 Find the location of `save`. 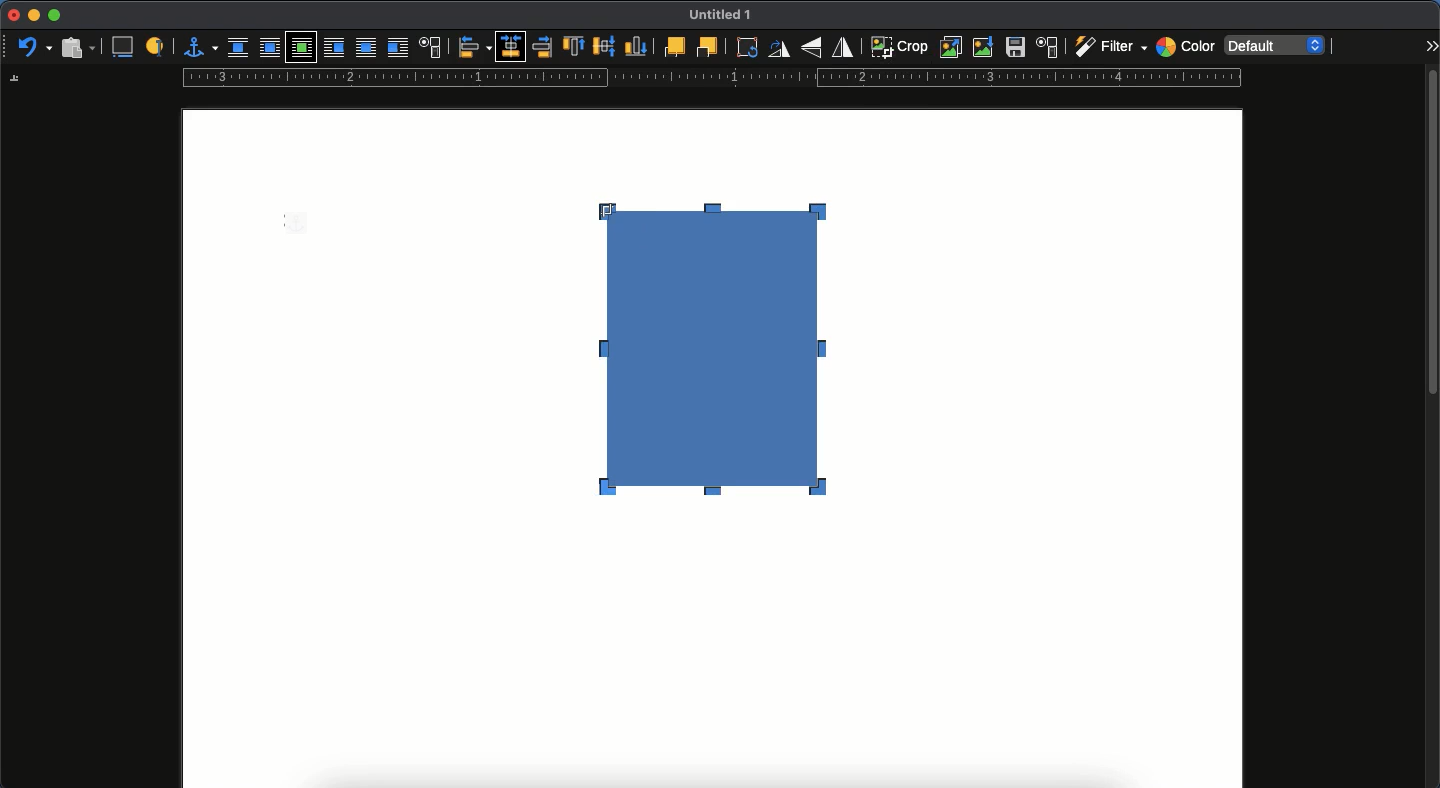

save is located at coordinates (1016, 50).